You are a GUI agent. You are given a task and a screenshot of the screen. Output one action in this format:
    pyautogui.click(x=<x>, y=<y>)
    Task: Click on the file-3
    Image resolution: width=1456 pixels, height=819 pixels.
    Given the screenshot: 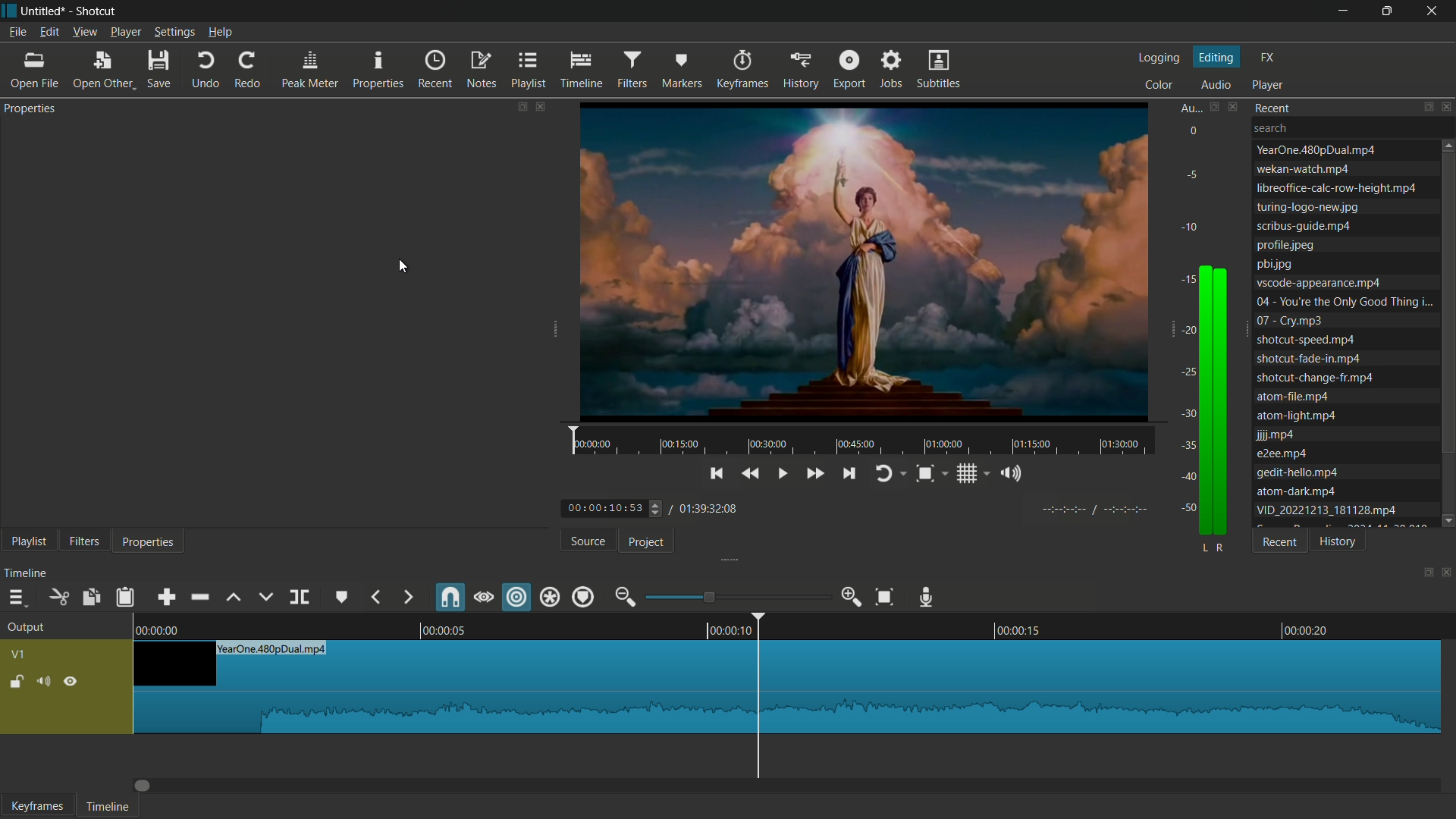 What is the action you would take?
    pyautogui.click(x=1334, y=188)
    